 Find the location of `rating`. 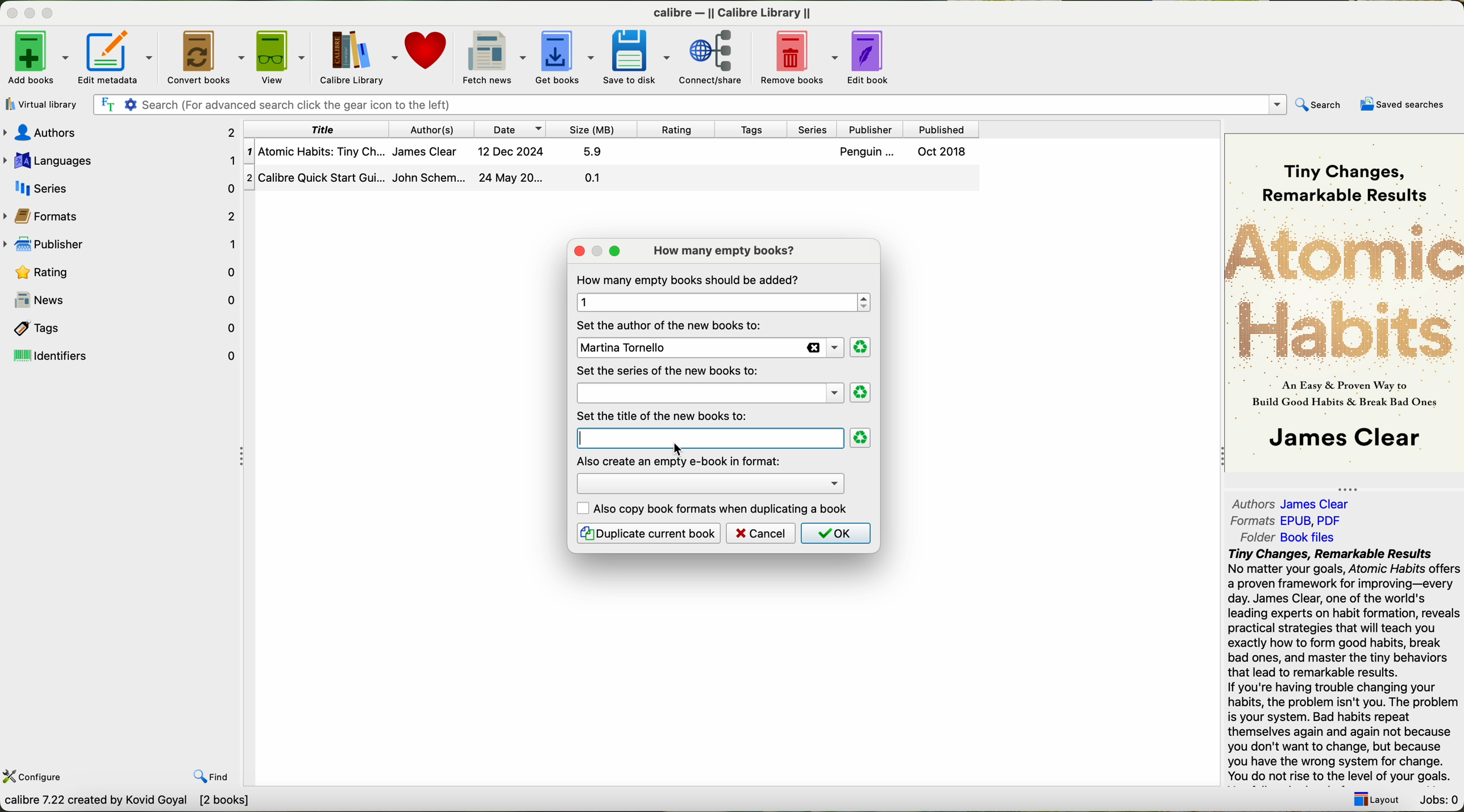

rating is located at coordinates (121, 272).